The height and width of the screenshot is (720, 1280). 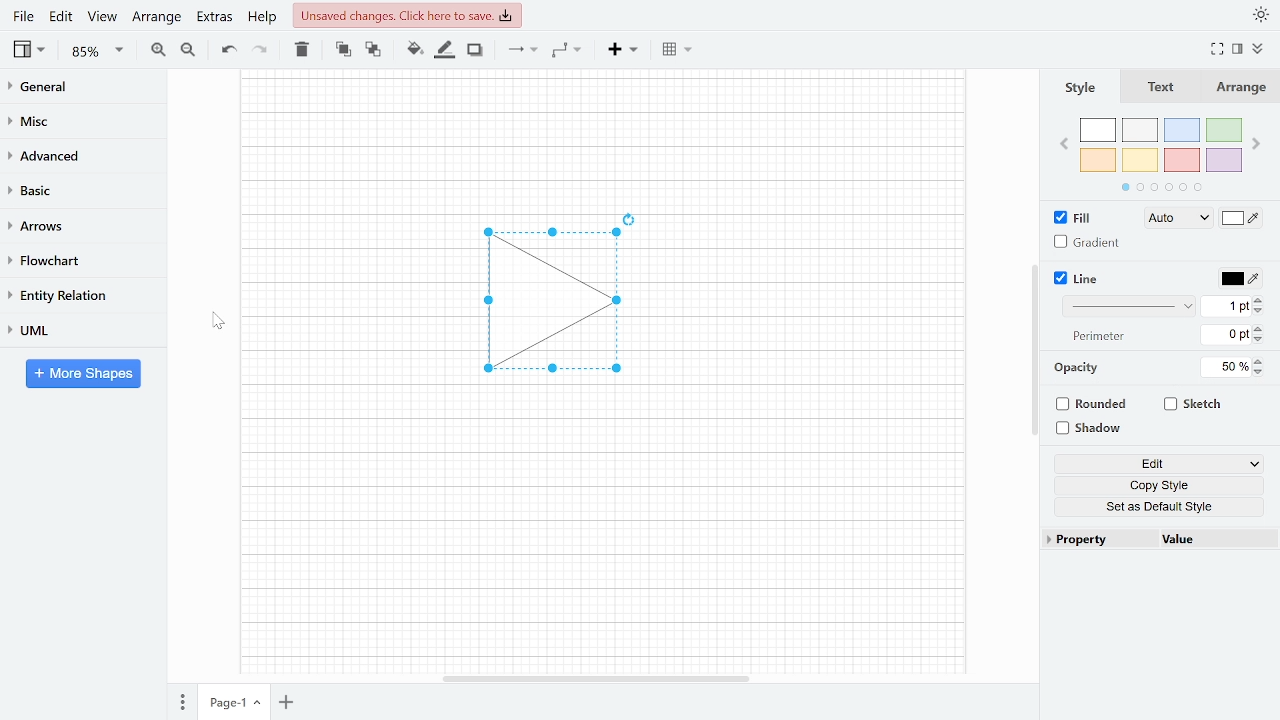 I want to click on Shadow, so click(x=1096, y=429).